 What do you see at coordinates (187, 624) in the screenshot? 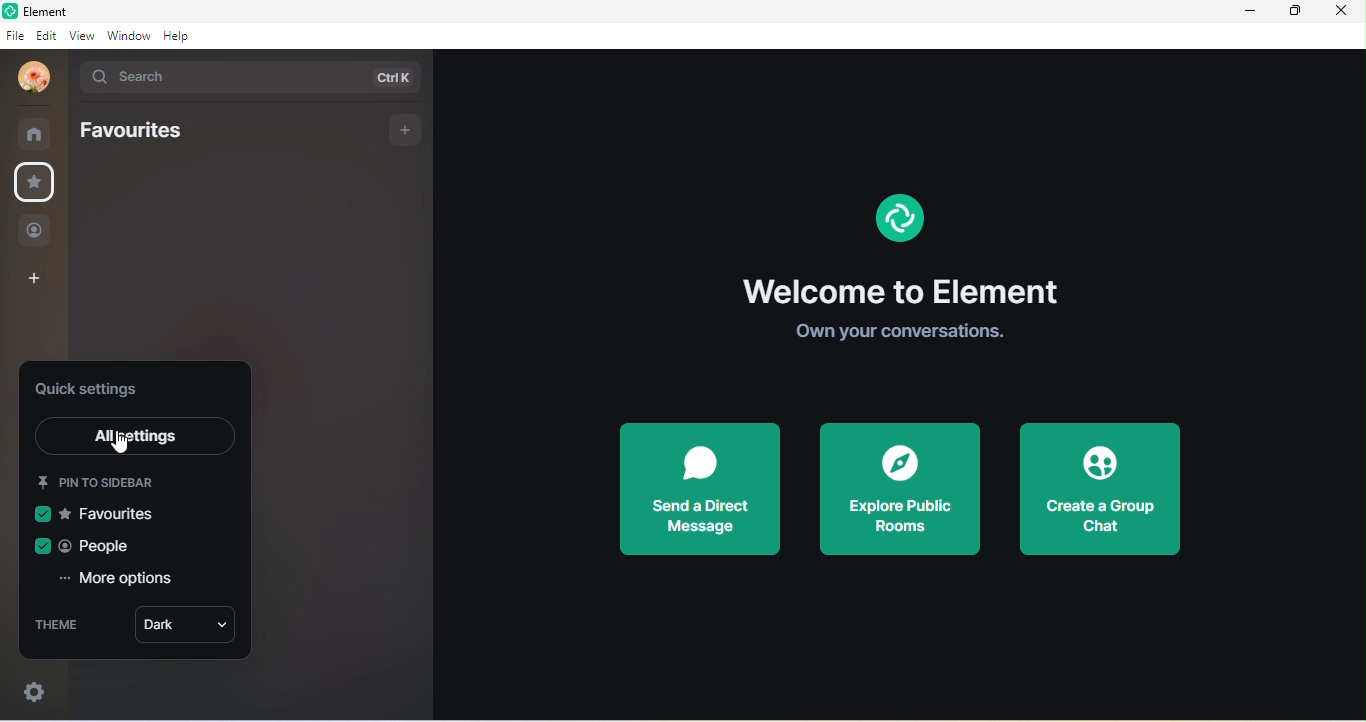
I see `dark` at bounding box center [187, 624].